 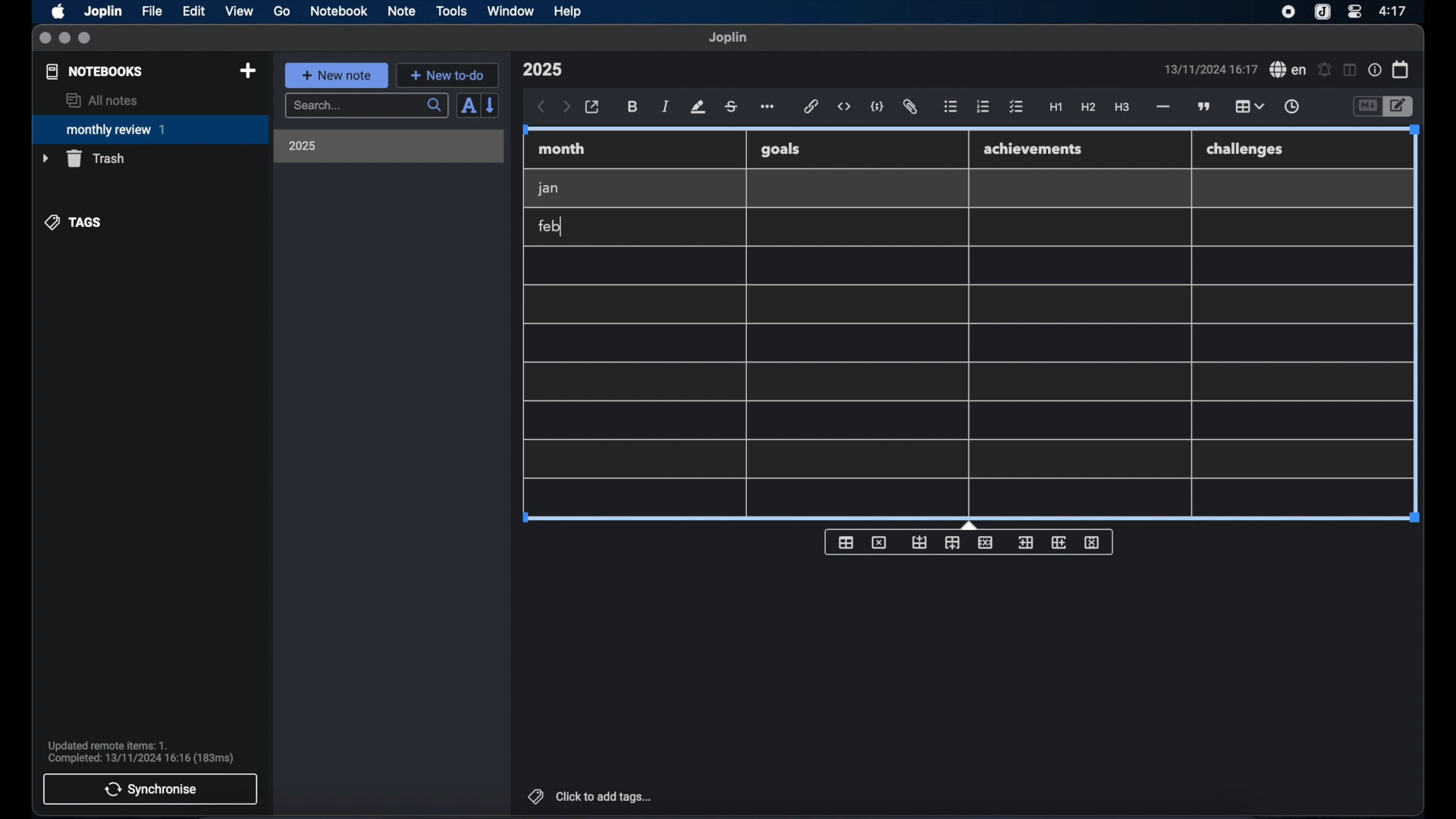 What do you see at coordinates (468, 106) in the screenshot?
I see `sort order field` at bounding box center [468, 106].